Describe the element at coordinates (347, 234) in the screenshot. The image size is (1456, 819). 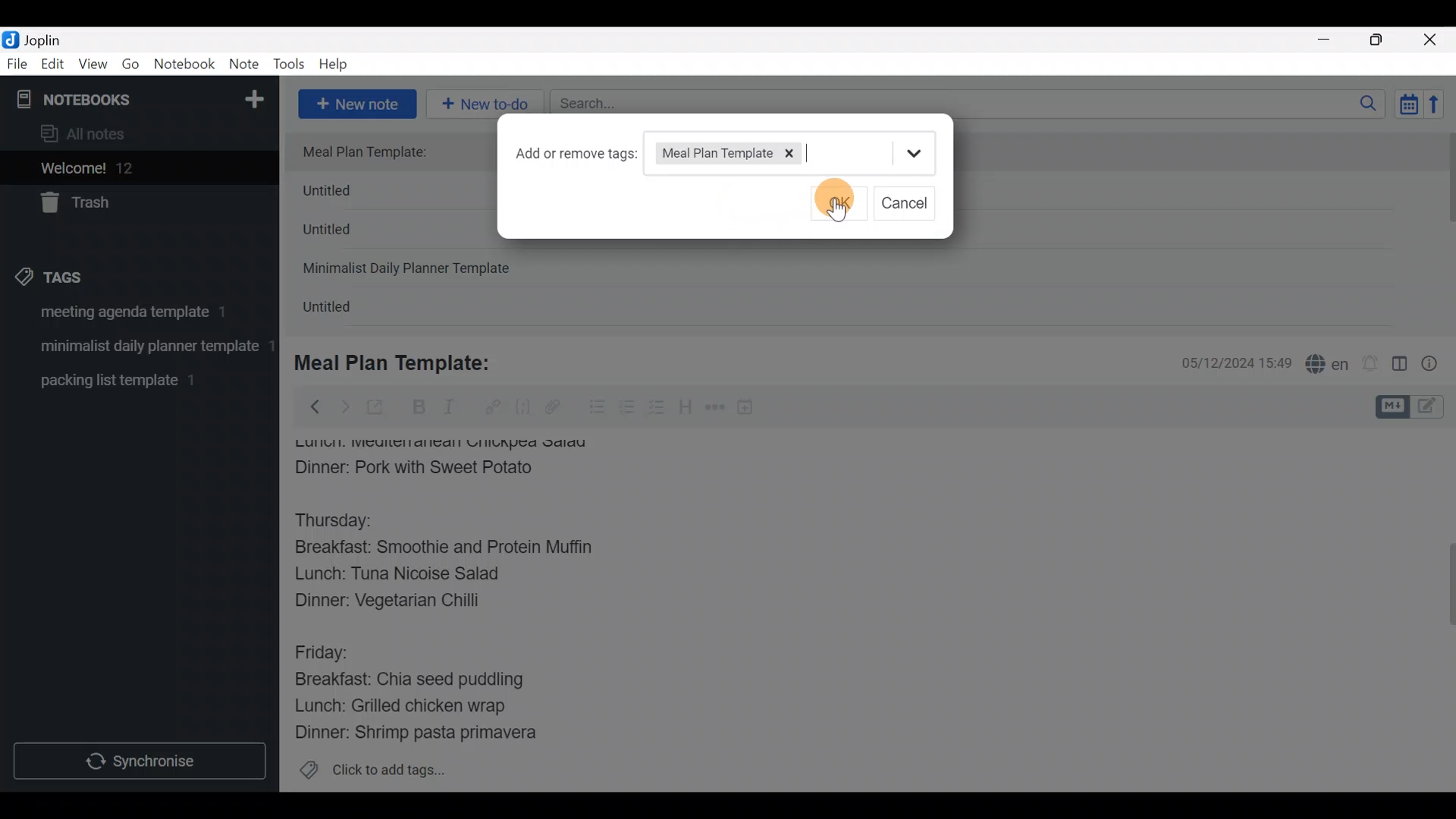
I see `Untitled` at that location.